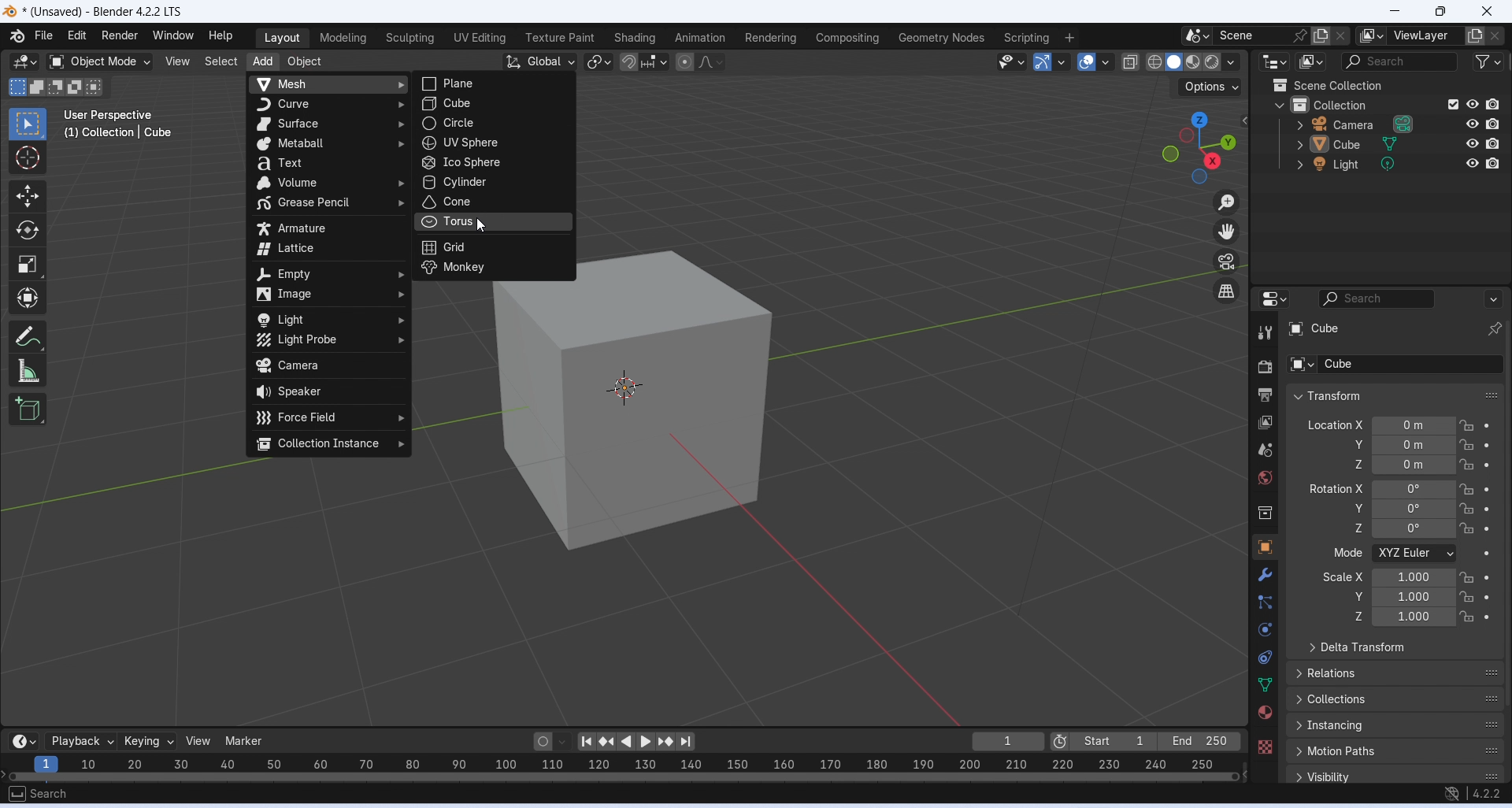  What do you see at coordinates (10, 13) in the screenshot?
I see `logo` at bounding box center [10, 13].